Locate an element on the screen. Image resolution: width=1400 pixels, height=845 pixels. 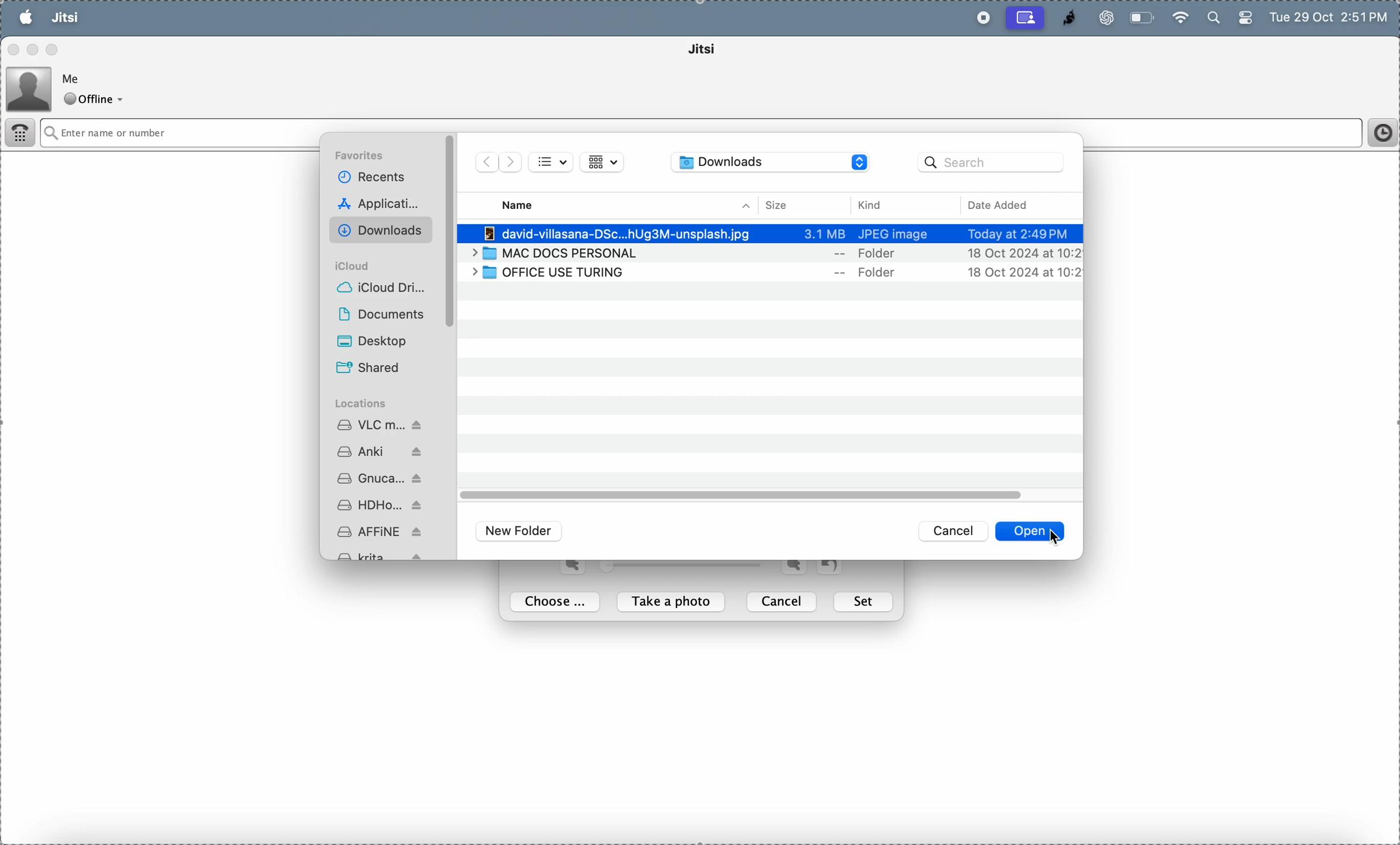
> 7 MAC DOCS PERSONAL -- Folder 18 Oct 2024 at 10:2] is located at coordinates (771, 254).